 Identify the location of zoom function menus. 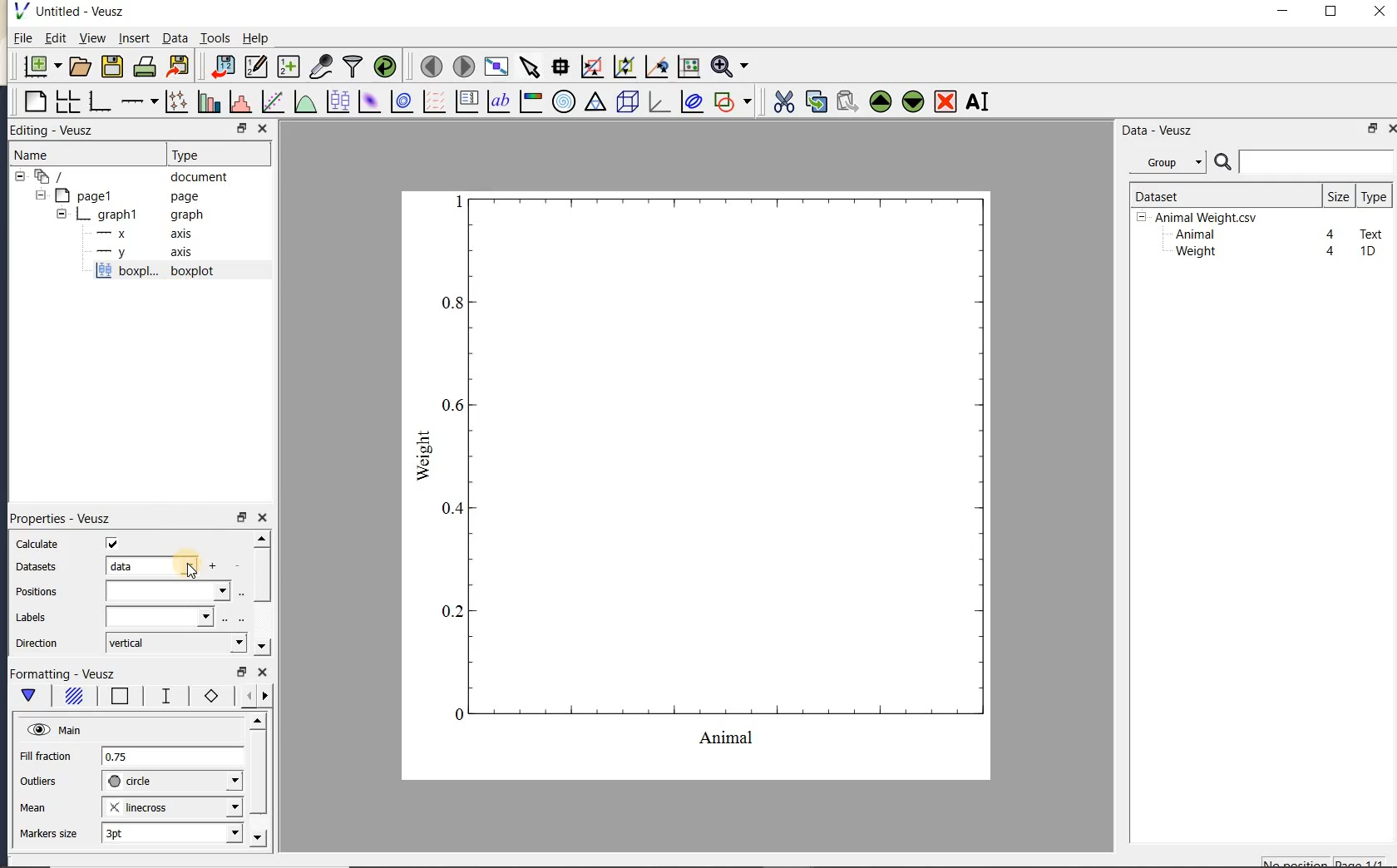
(729, 67).